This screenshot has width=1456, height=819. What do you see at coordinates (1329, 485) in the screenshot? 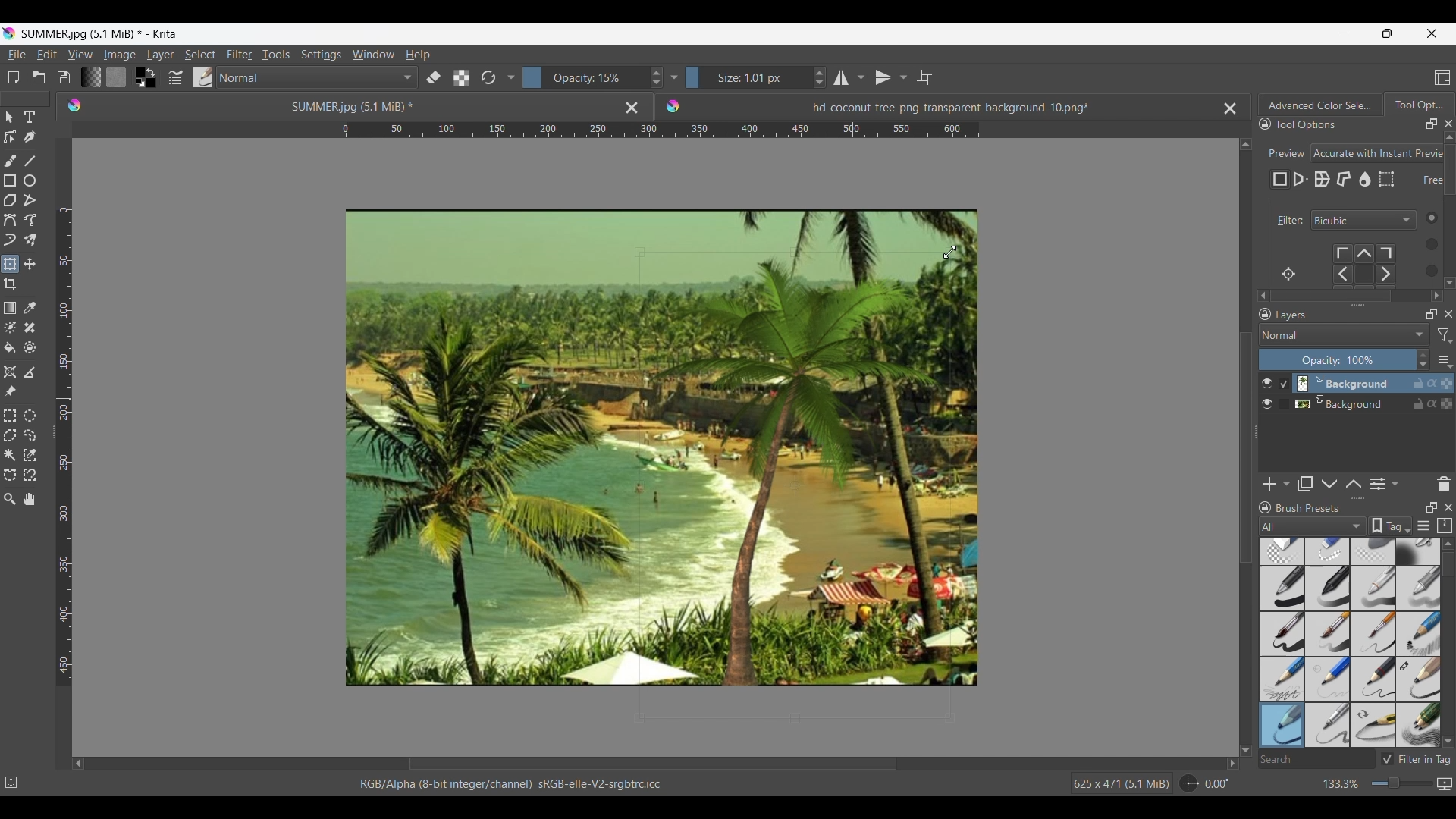
I see `Move layer/mask down` at bounding box center [1329, 485].